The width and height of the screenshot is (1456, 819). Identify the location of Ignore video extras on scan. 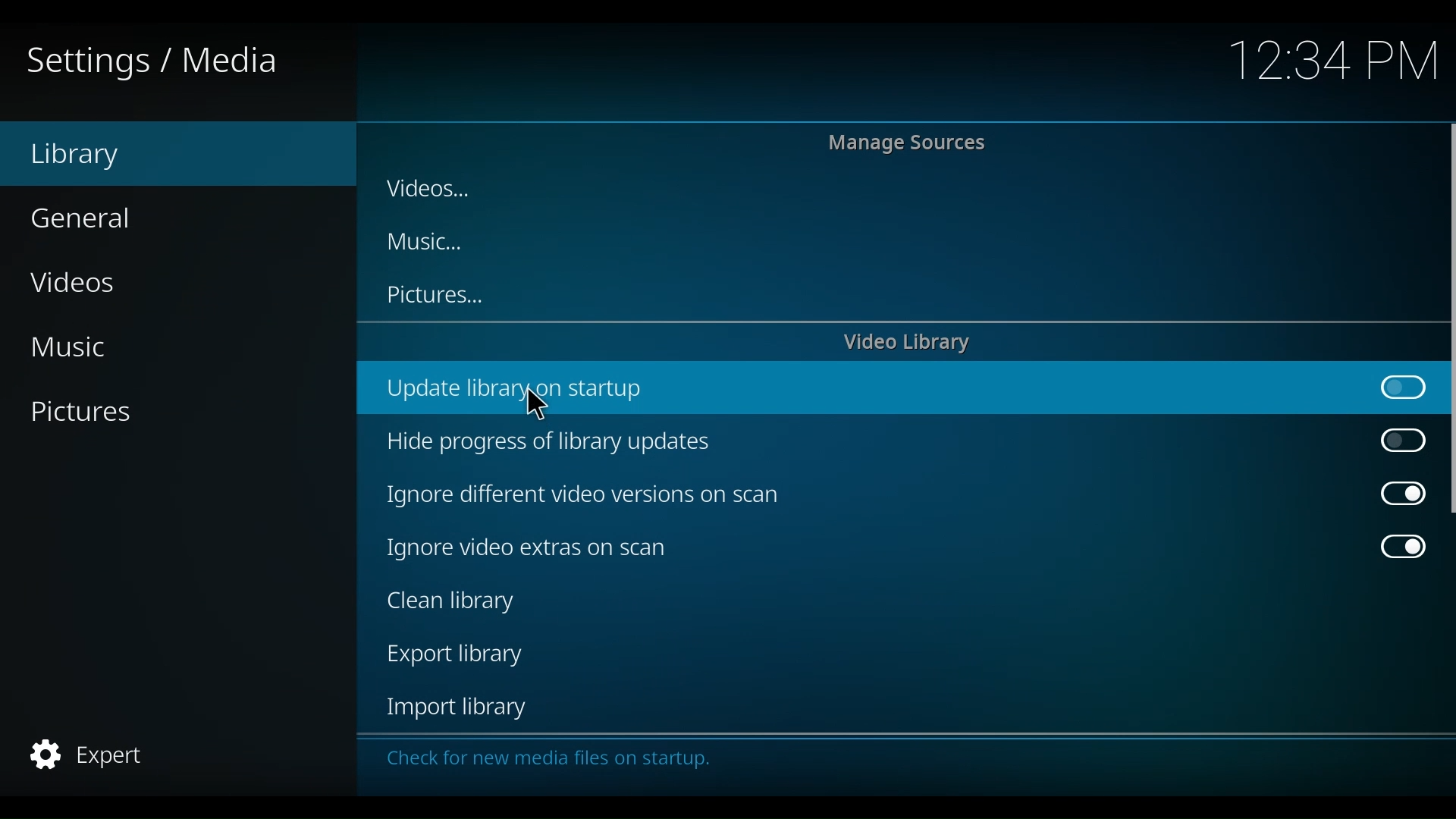
(868, 549).